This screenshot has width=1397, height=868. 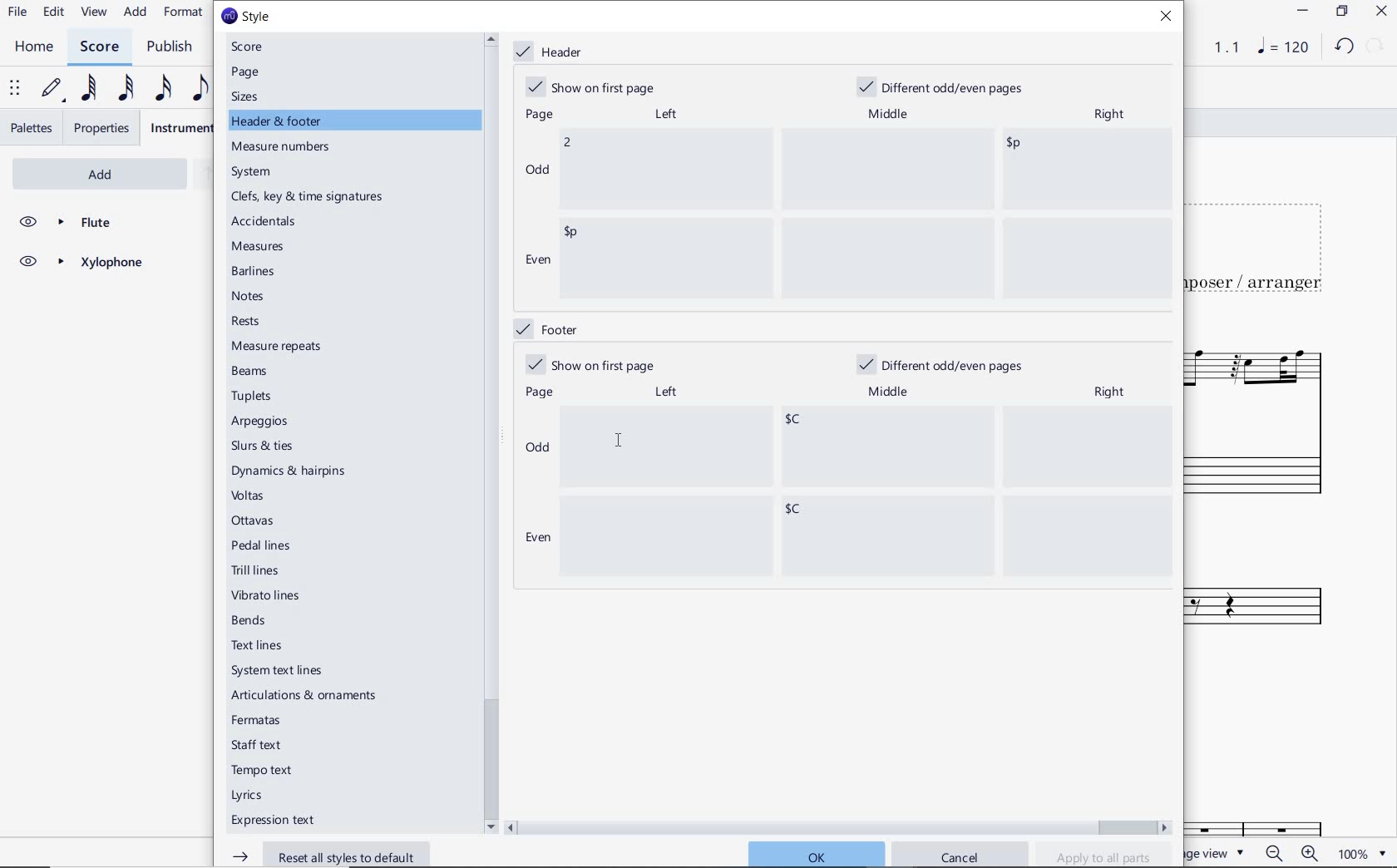 I want to click on tuplets, so click(x=254, y=397).